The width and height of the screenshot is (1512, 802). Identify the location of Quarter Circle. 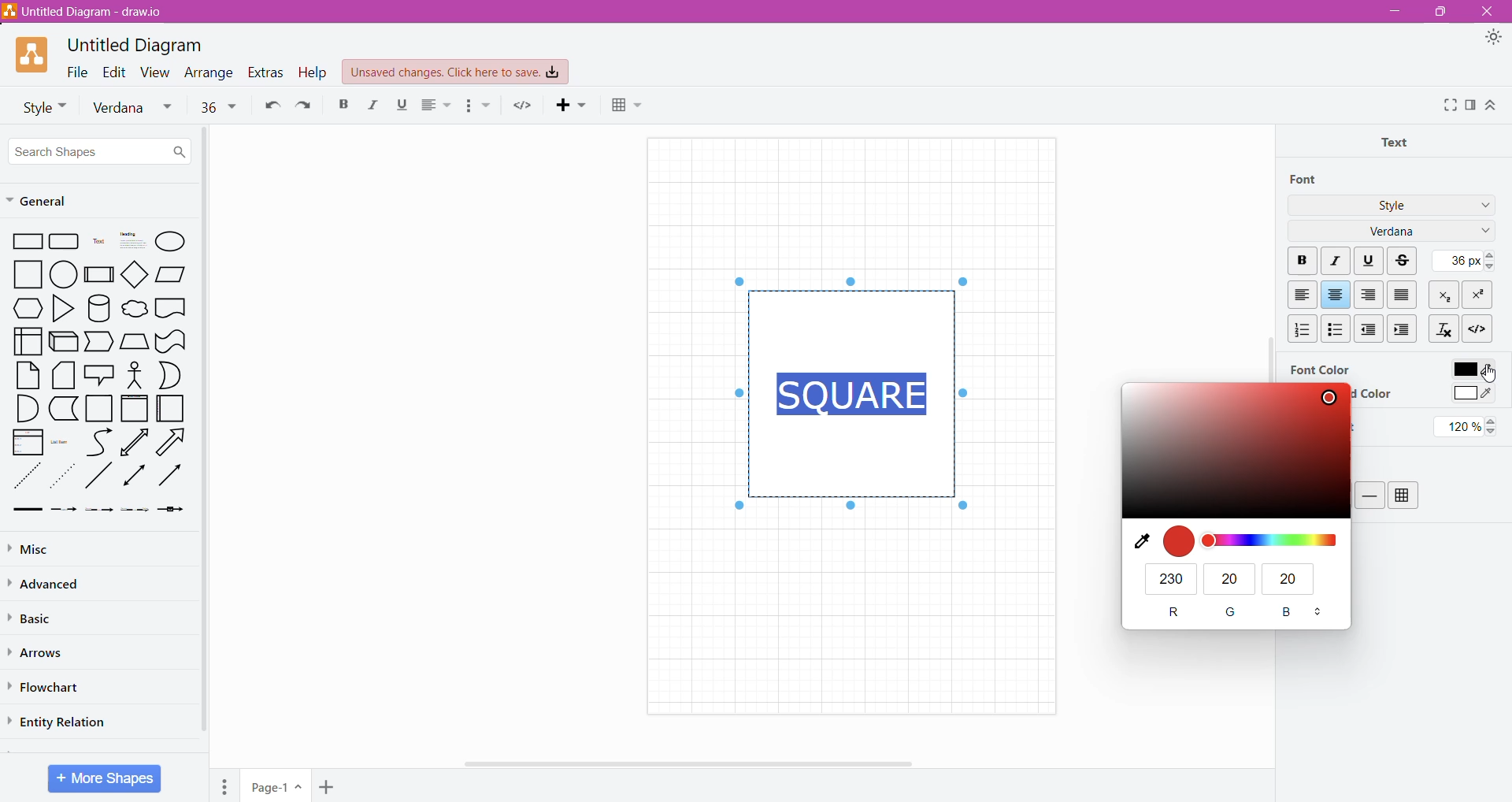
(25, 407).